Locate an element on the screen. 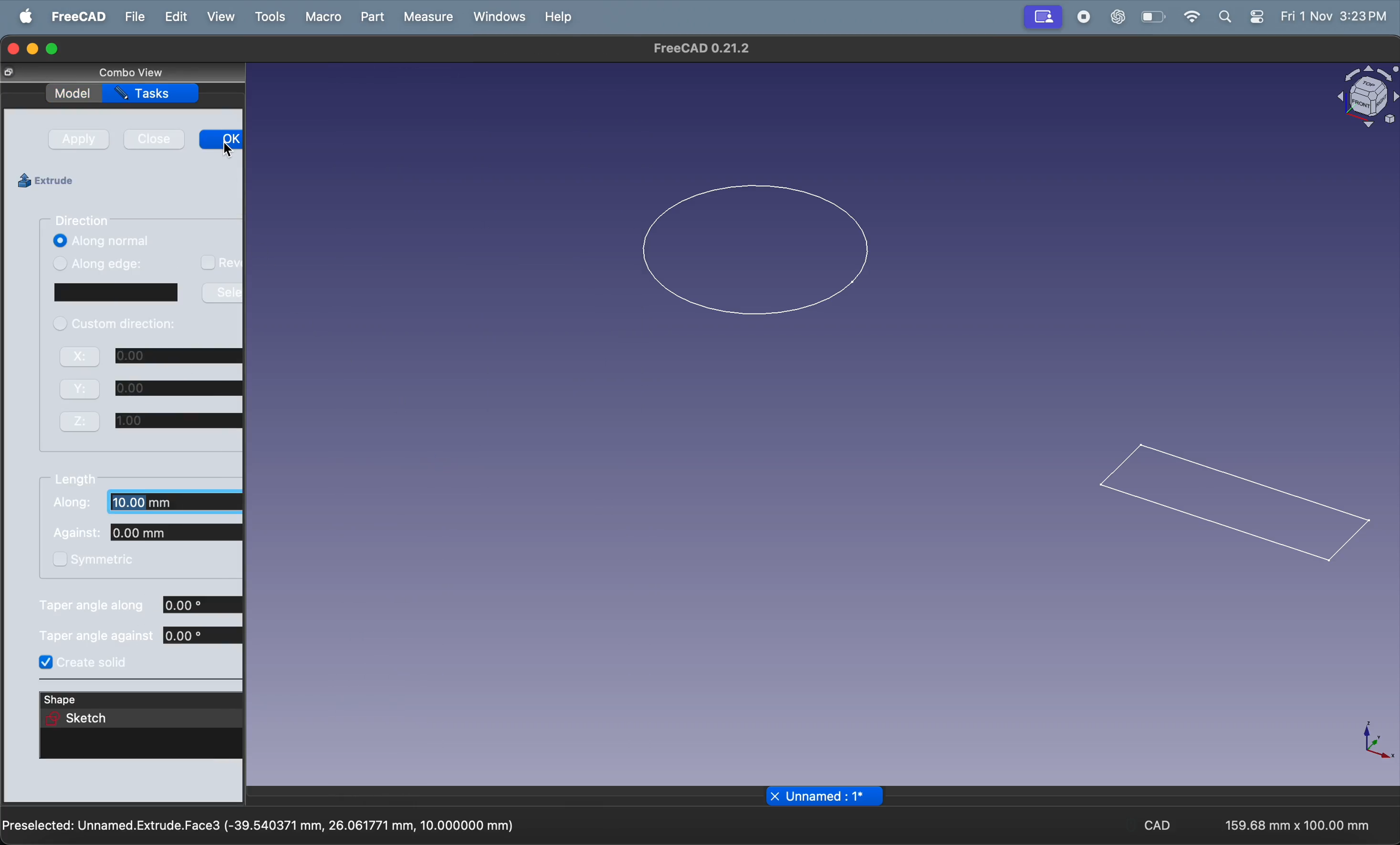 Image resolution: width=1400 pixels, height=845 pixels. FreeCAD 0.21.2 is located at coordinates (706, 49).